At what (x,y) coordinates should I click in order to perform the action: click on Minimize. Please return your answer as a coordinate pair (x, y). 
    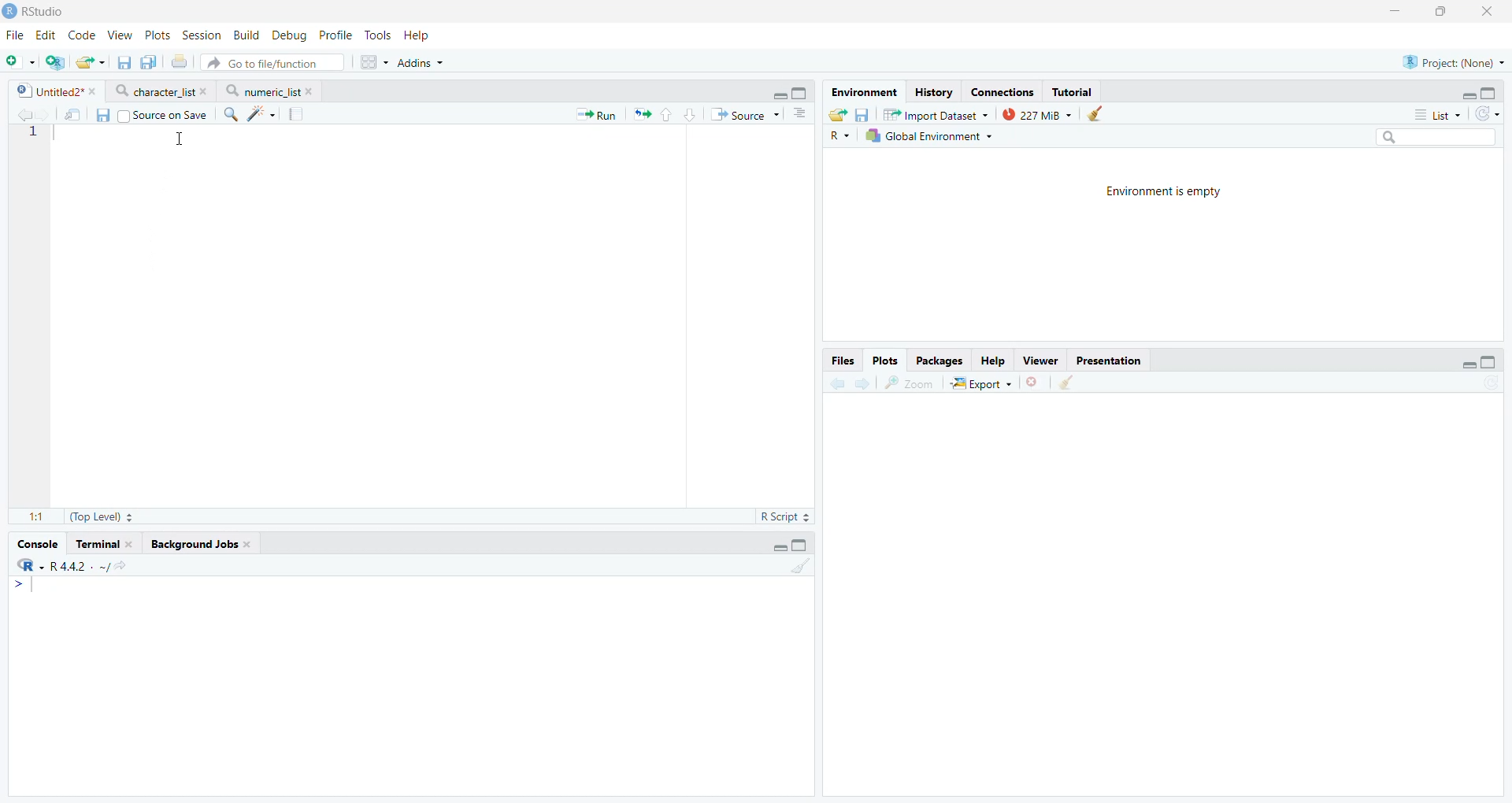
    Looking at the image, I should click on (1396, 10).